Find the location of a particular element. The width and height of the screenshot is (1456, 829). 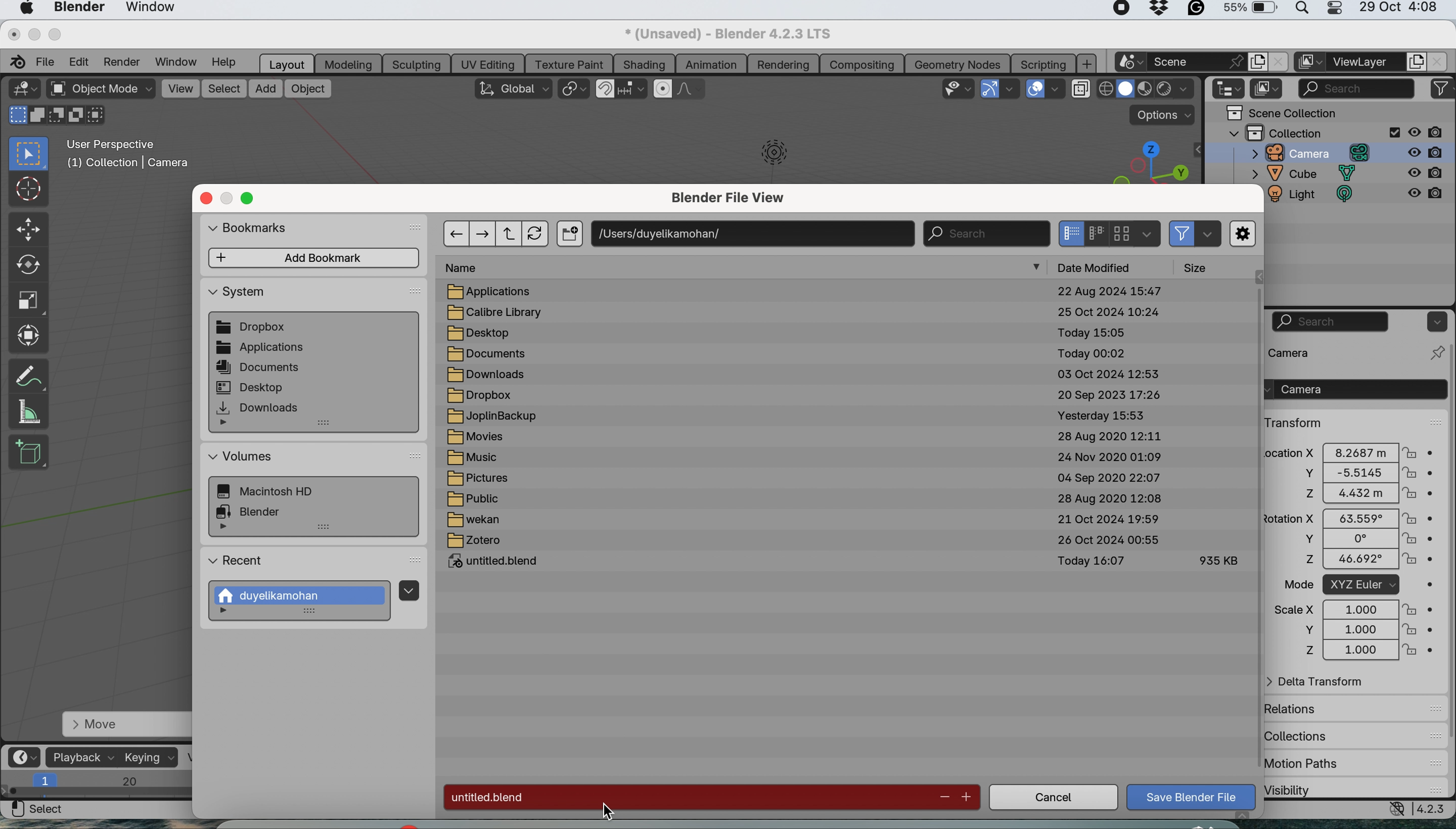

z 1.000 is located at coordinates (1355, 651).